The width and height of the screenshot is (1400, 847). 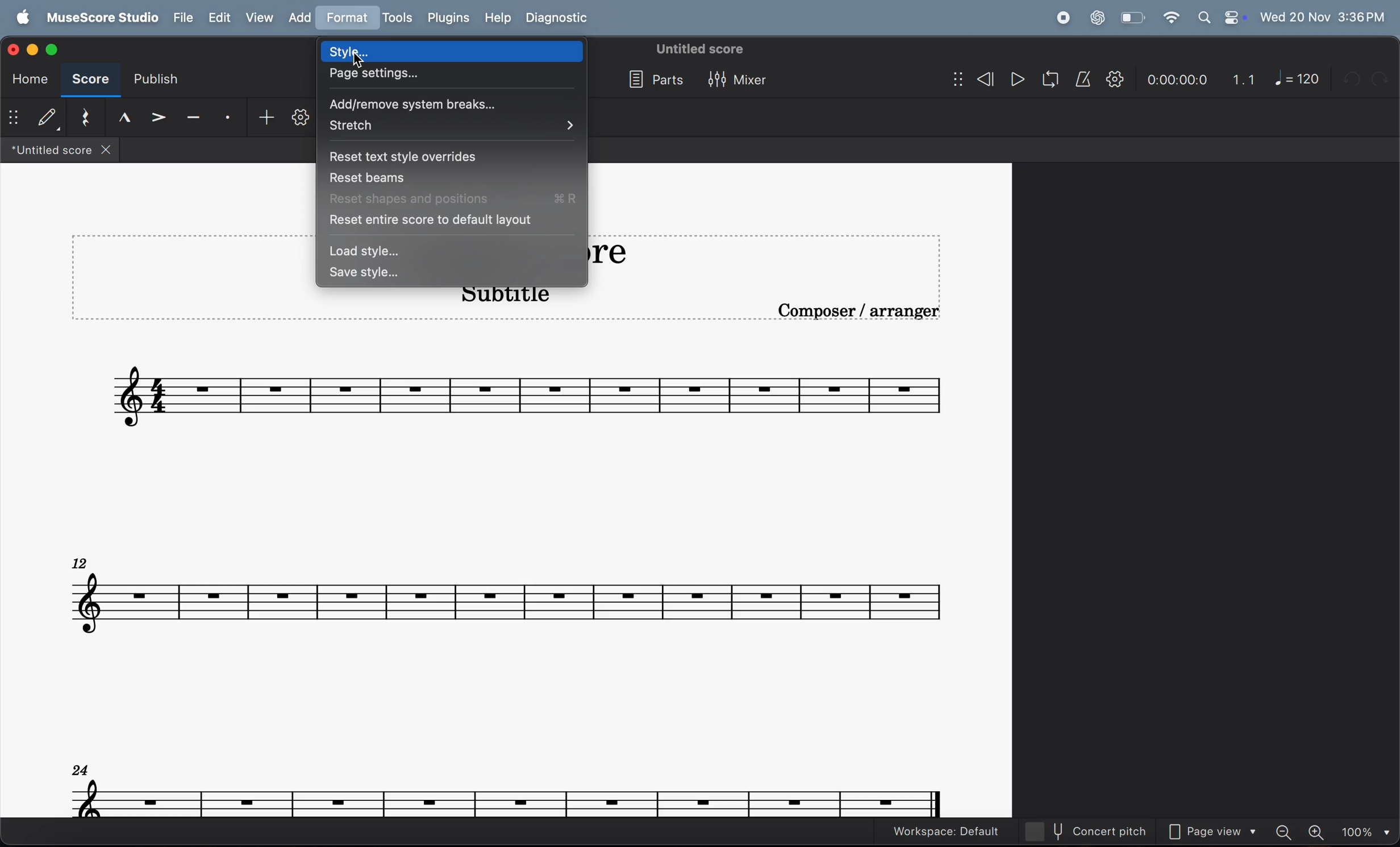 I want to click on notes, so click(x=507, y=595).